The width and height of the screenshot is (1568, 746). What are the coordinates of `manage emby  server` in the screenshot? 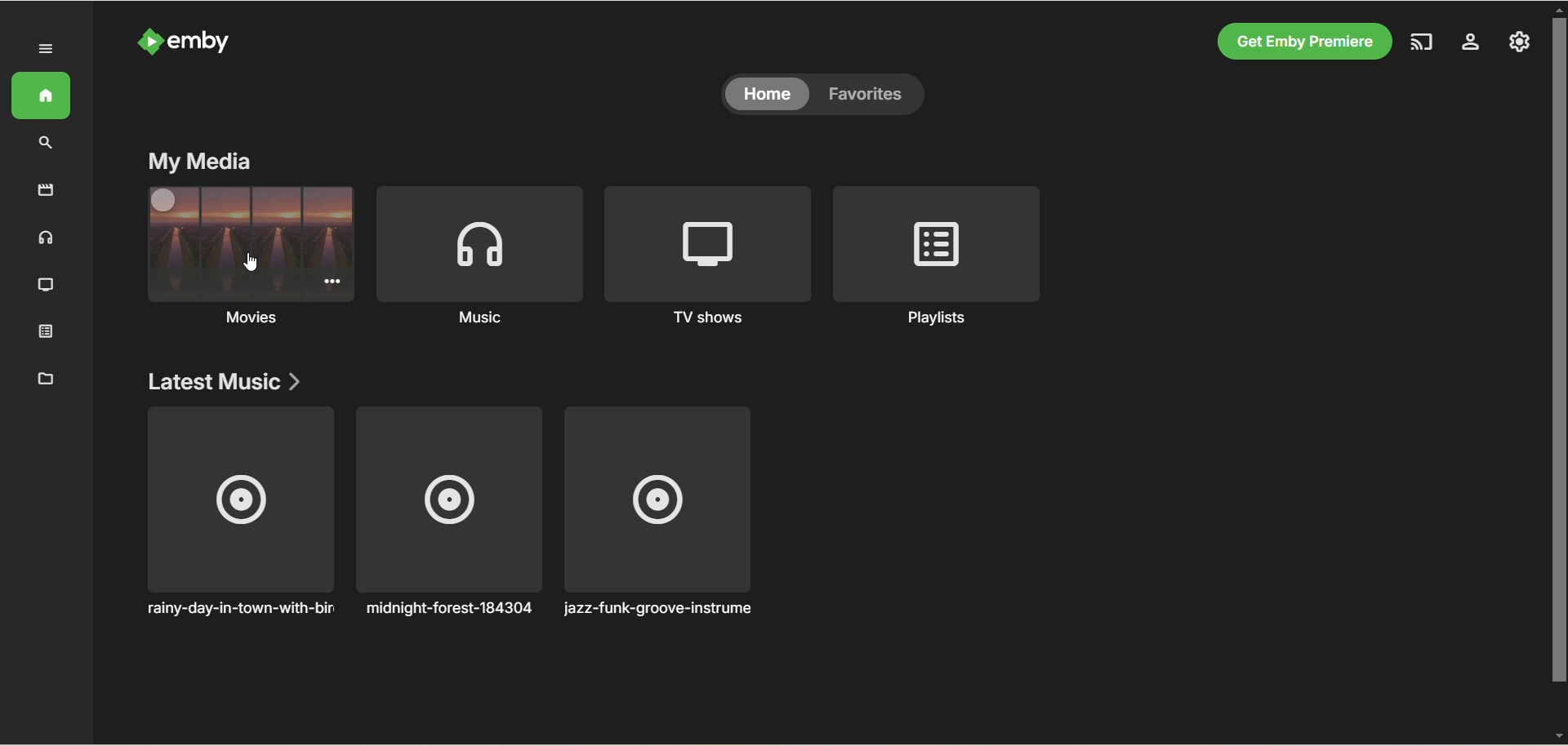 It's located at (1520, 41).